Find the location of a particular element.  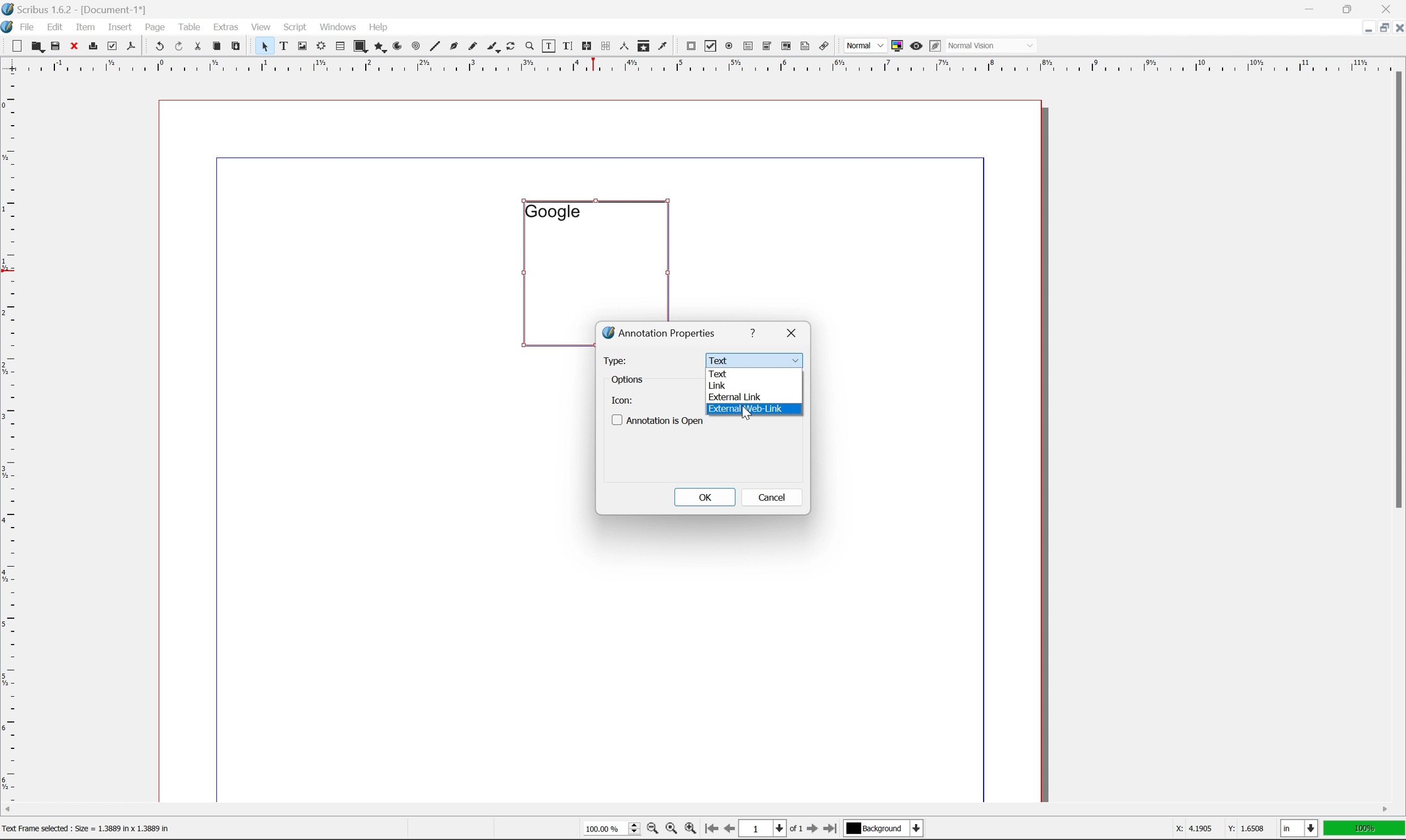

table is located at coordinates (190, 26).